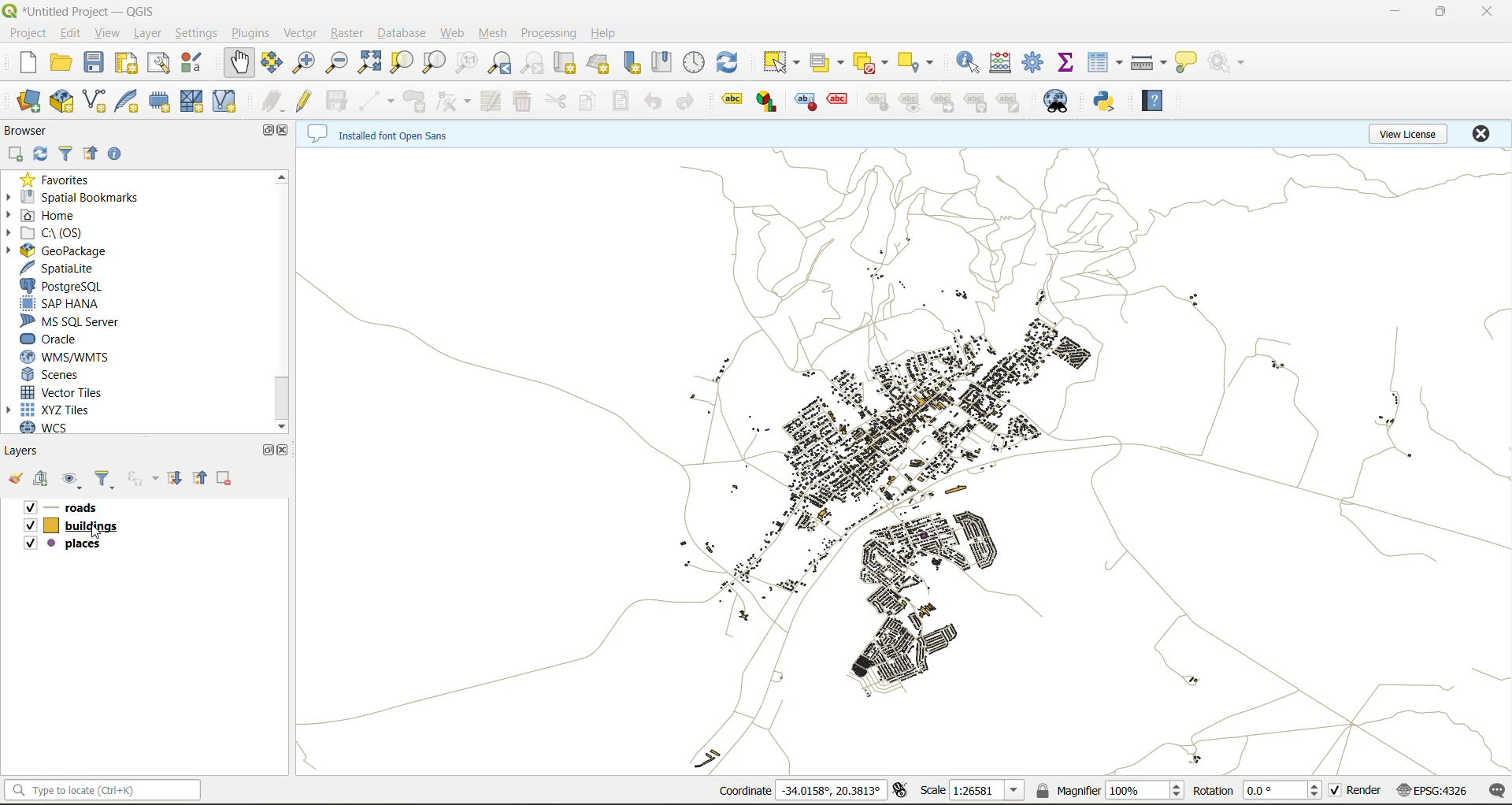 The height and width of the screenshot is (805, 1512). Describe the element at coordinates (156, 98) in the screenshot. I see `temporary scratch file` at that location.